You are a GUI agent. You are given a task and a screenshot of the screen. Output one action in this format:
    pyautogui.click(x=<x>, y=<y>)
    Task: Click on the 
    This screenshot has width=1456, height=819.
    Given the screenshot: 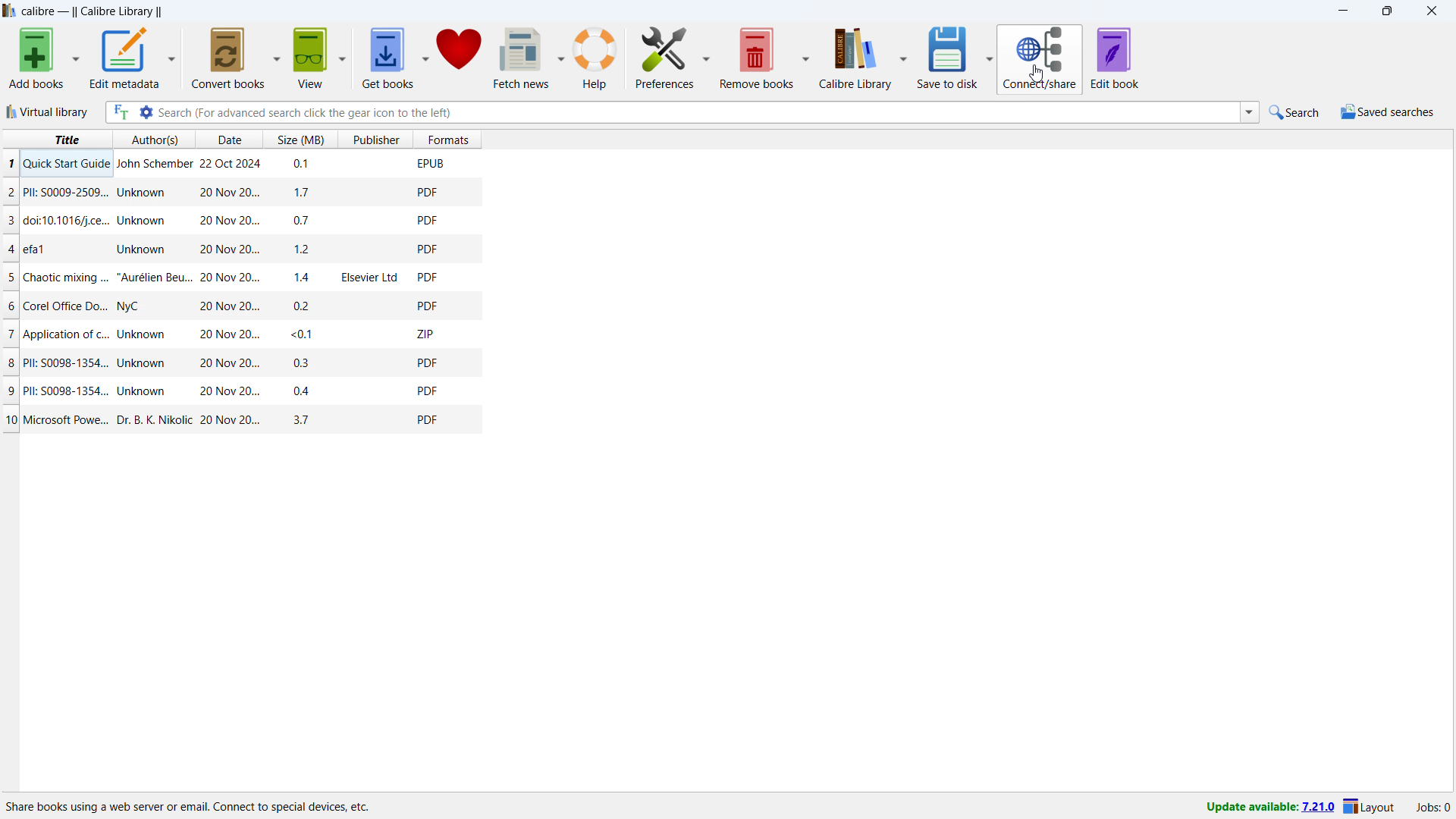 What is the action you would take?
    pyautogui.click(x=855, y=58)
    